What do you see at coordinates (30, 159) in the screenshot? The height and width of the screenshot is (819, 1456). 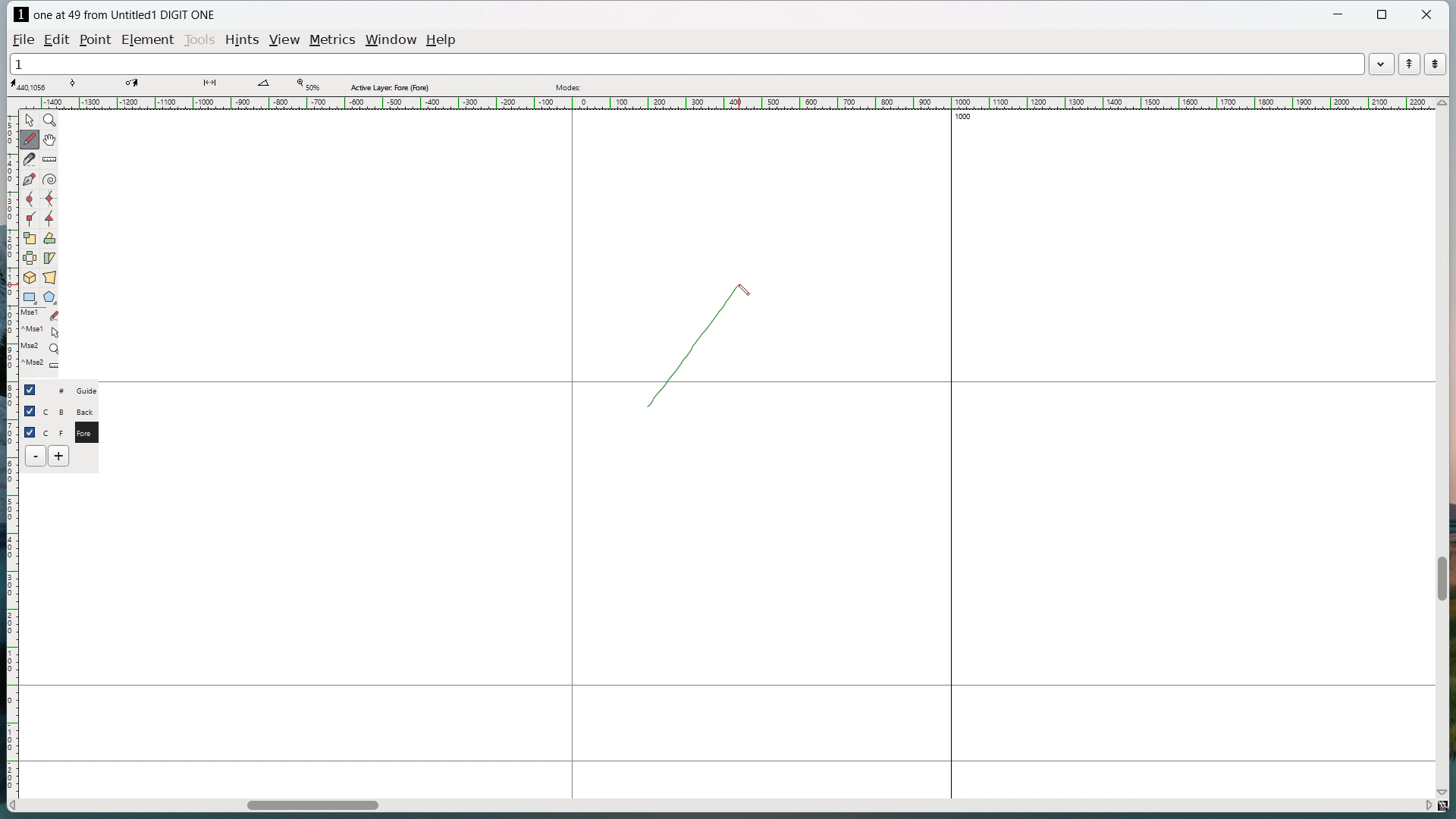 I see `cut splines in two` at bounding box center [30, 159].